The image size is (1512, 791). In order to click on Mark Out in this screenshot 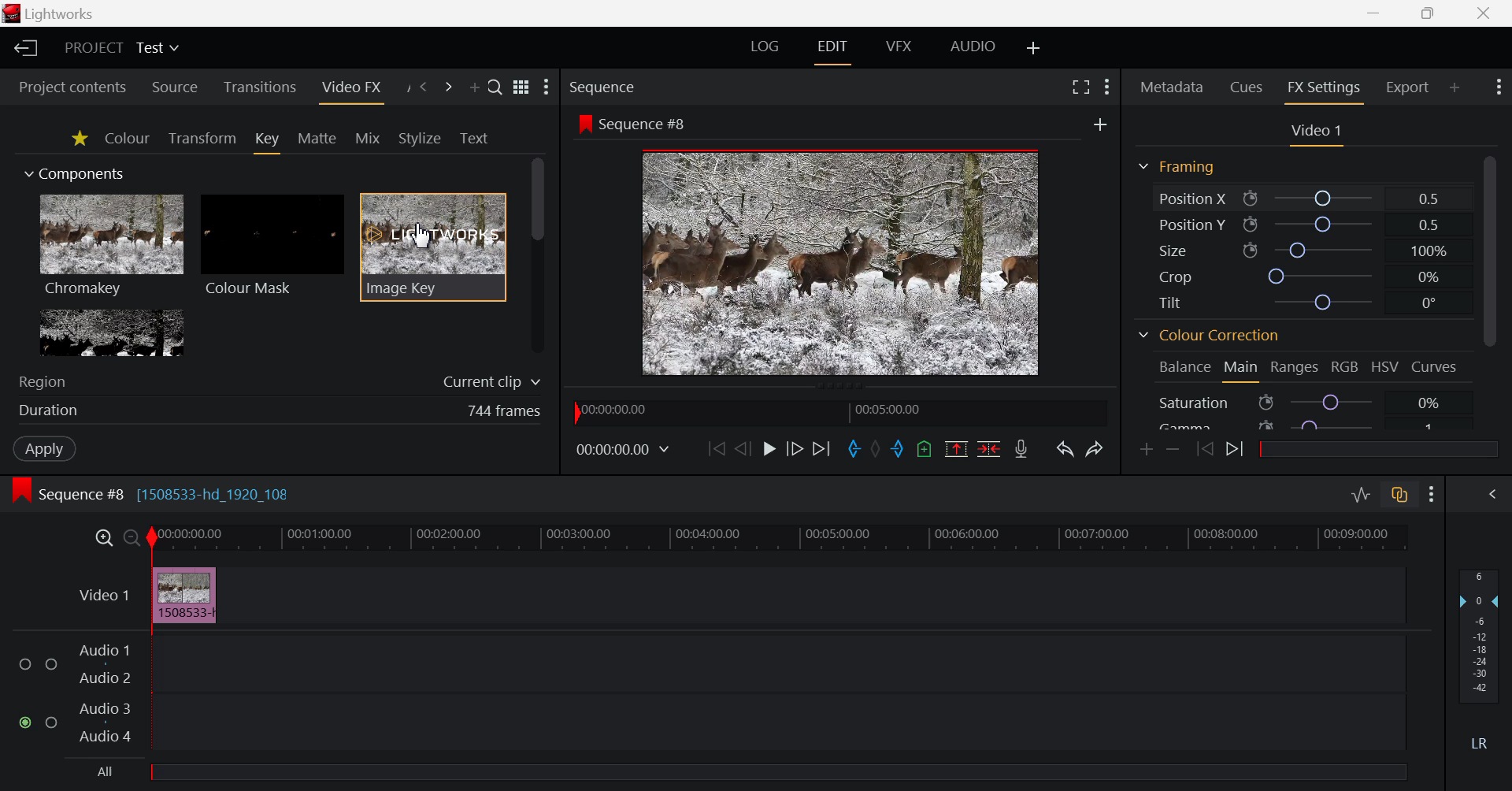, I will do `click(899, 448)`.